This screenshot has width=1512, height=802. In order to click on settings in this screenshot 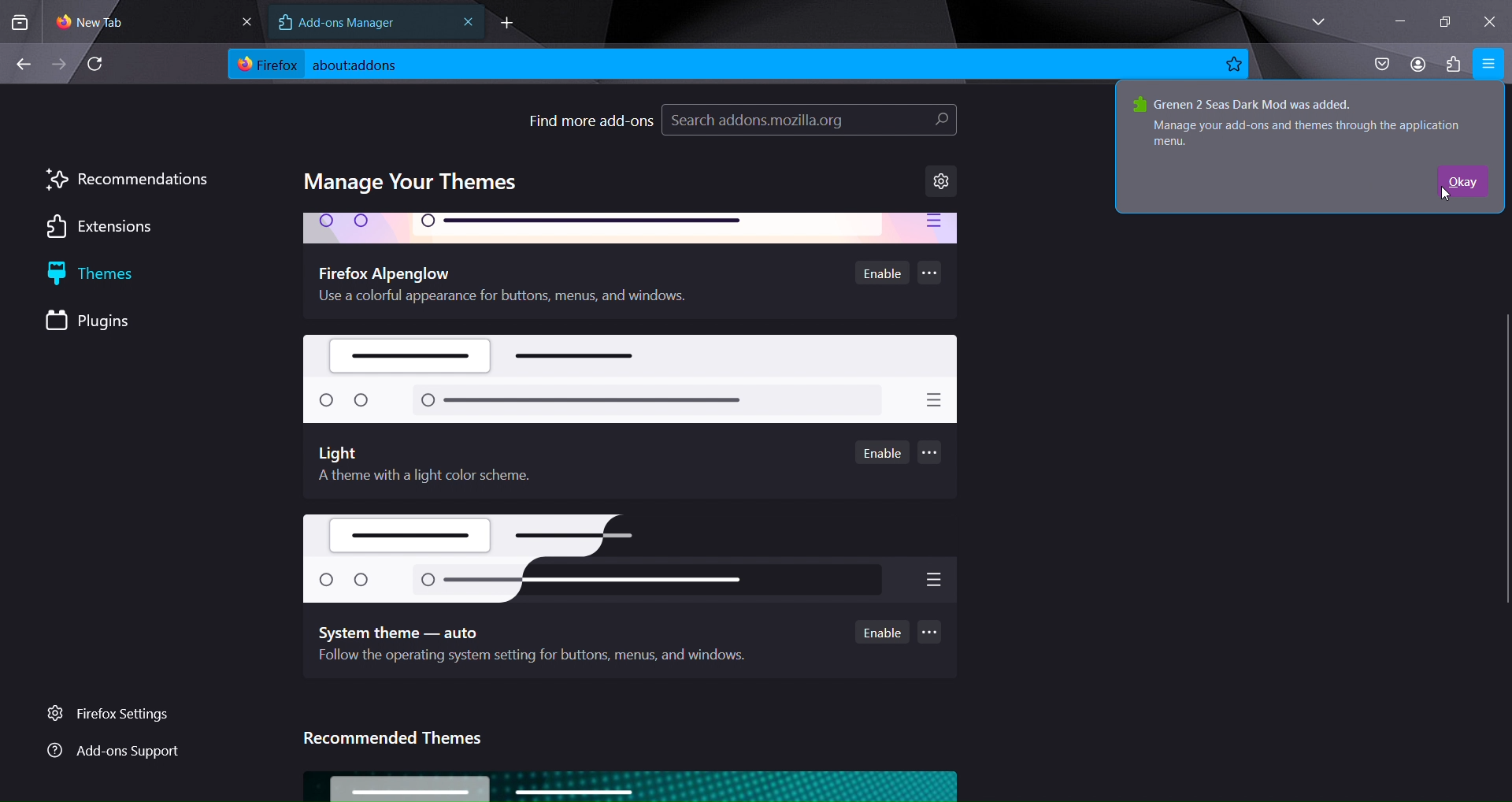, I will do `click(942, 181)`.